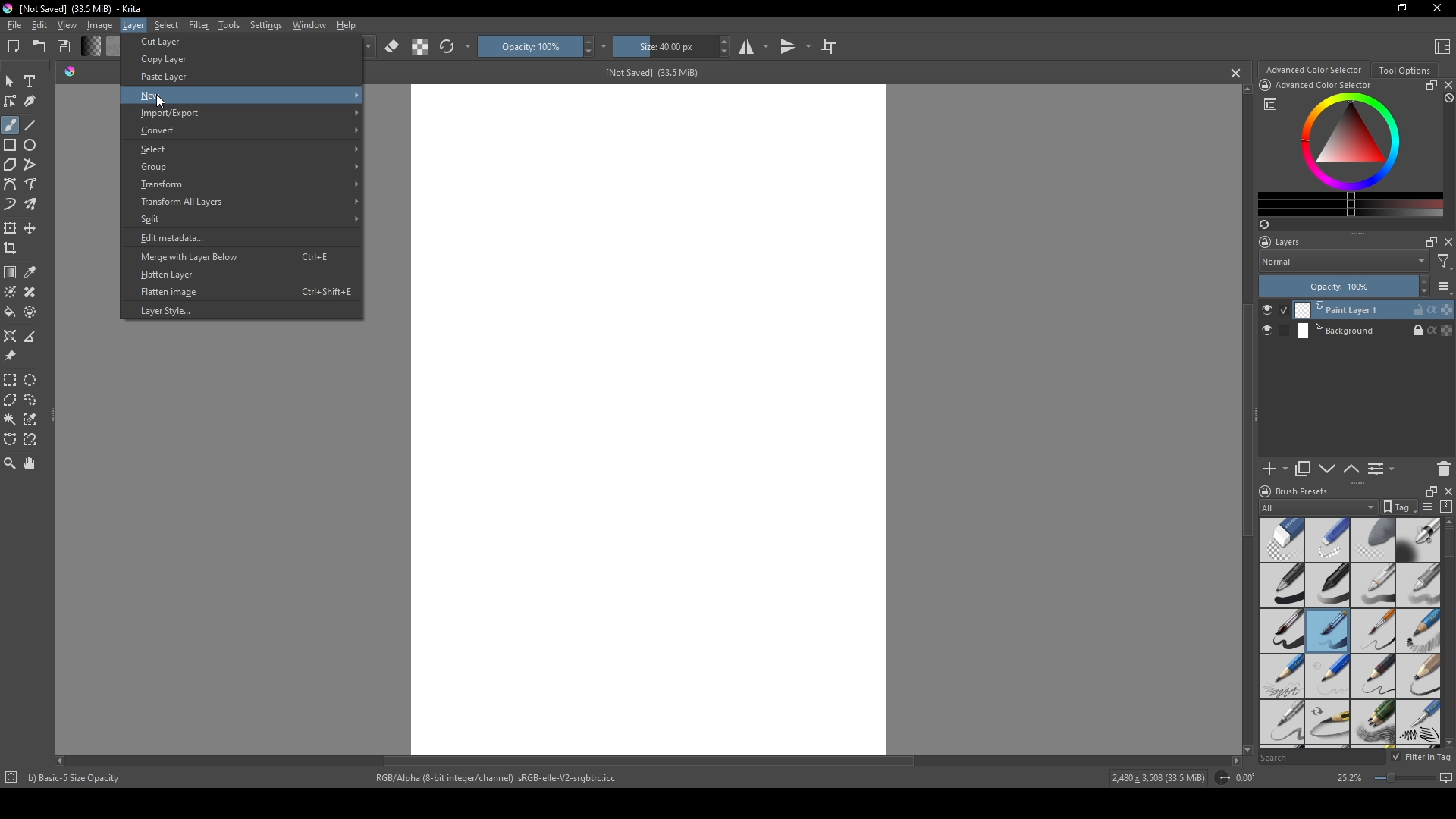 Image resolution: width=1456 pixels, height=819 pixels. Describe the element at coordinates (1401, 9) in the screenshot. I see `resize` at that location.